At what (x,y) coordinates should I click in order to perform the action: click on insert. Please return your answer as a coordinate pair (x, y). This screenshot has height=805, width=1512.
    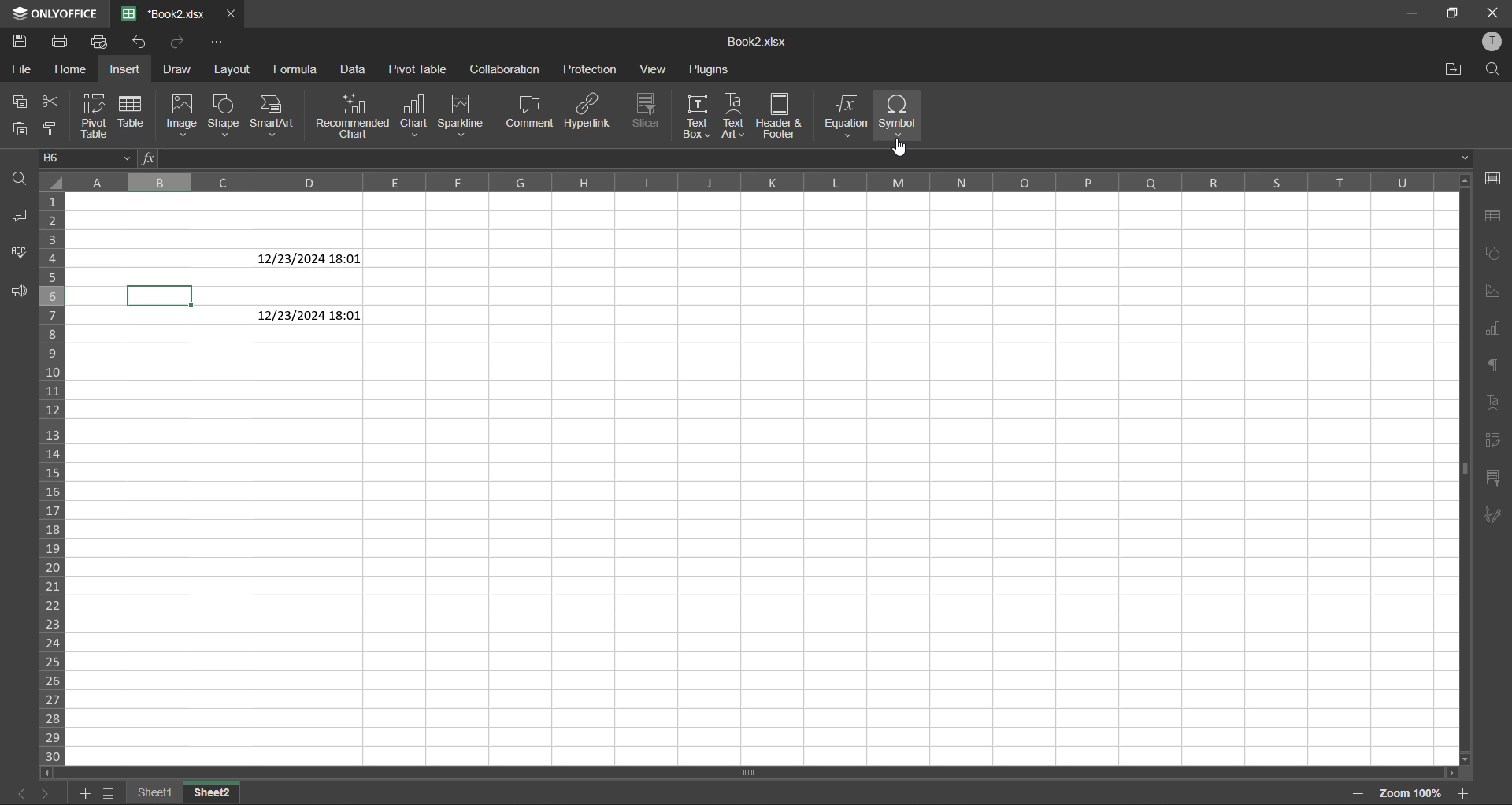
    Looking at the image, I should click on (125, 72).